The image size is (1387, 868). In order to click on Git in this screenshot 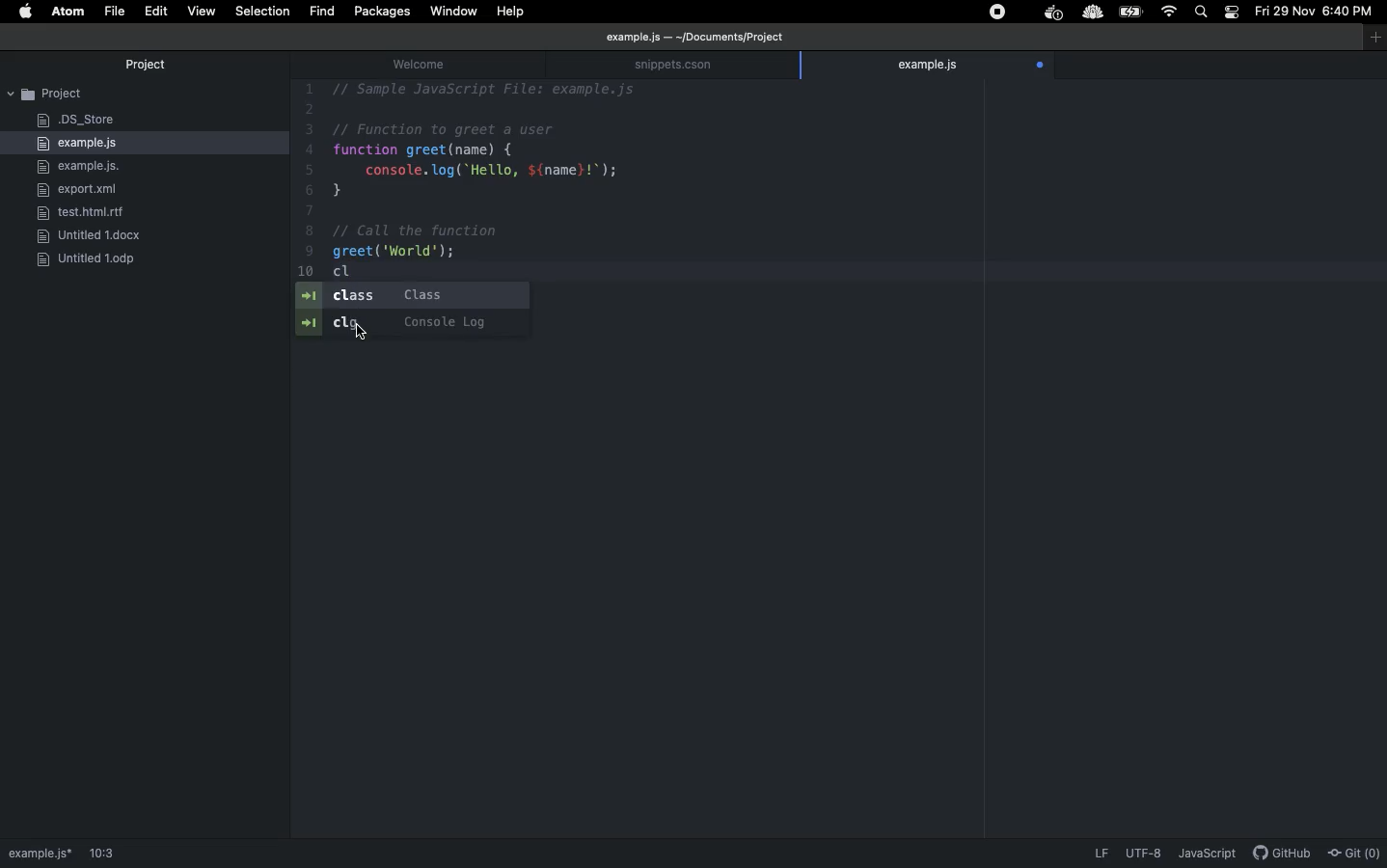, I will do `click(1355, 853)`.